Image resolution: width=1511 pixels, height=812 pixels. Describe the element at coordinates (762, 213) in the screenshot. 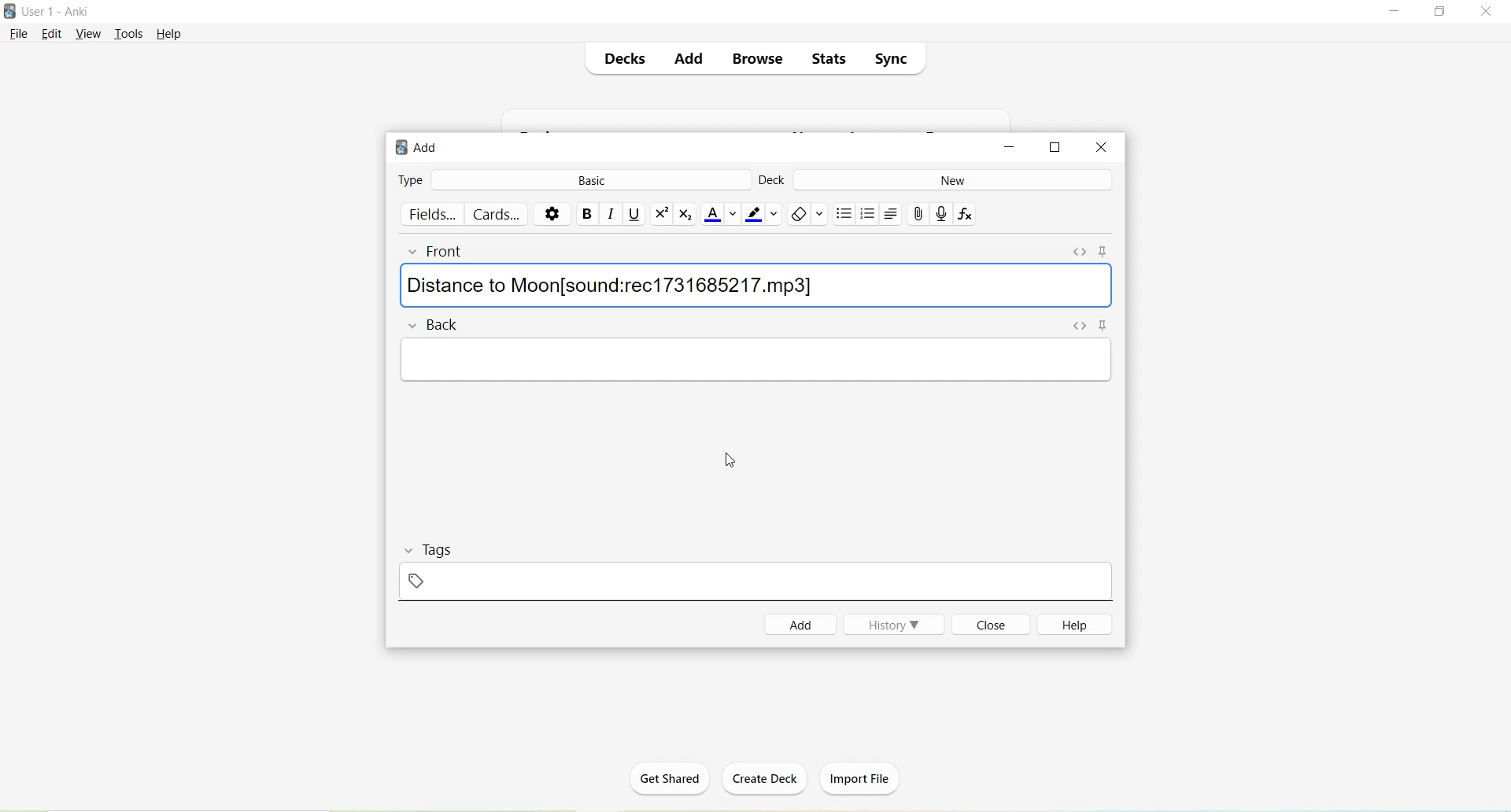

I see `Text highlight color` at that location.